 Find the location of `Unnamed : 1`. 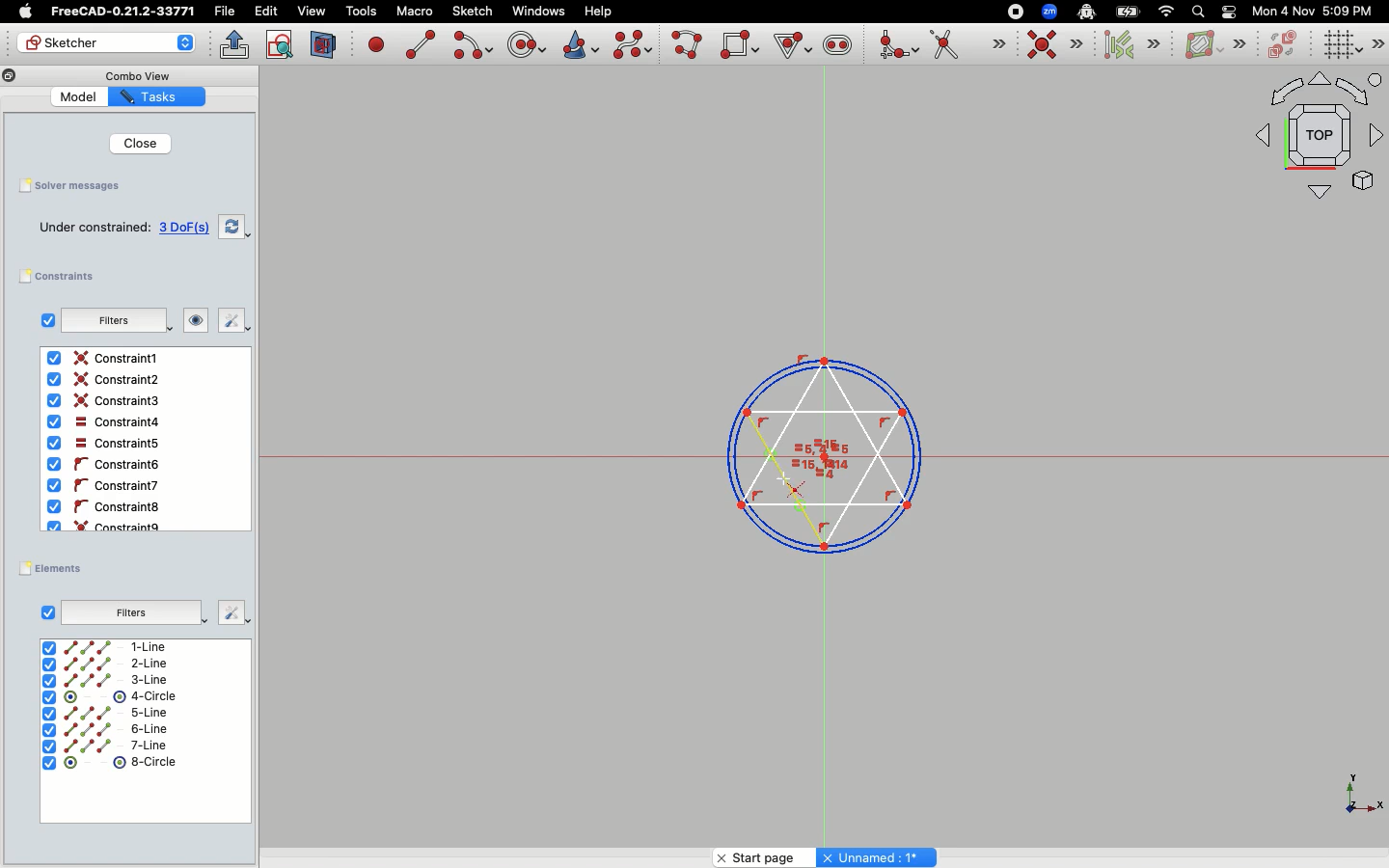

Unnamed : 1 is located at coordinates (876, 854).